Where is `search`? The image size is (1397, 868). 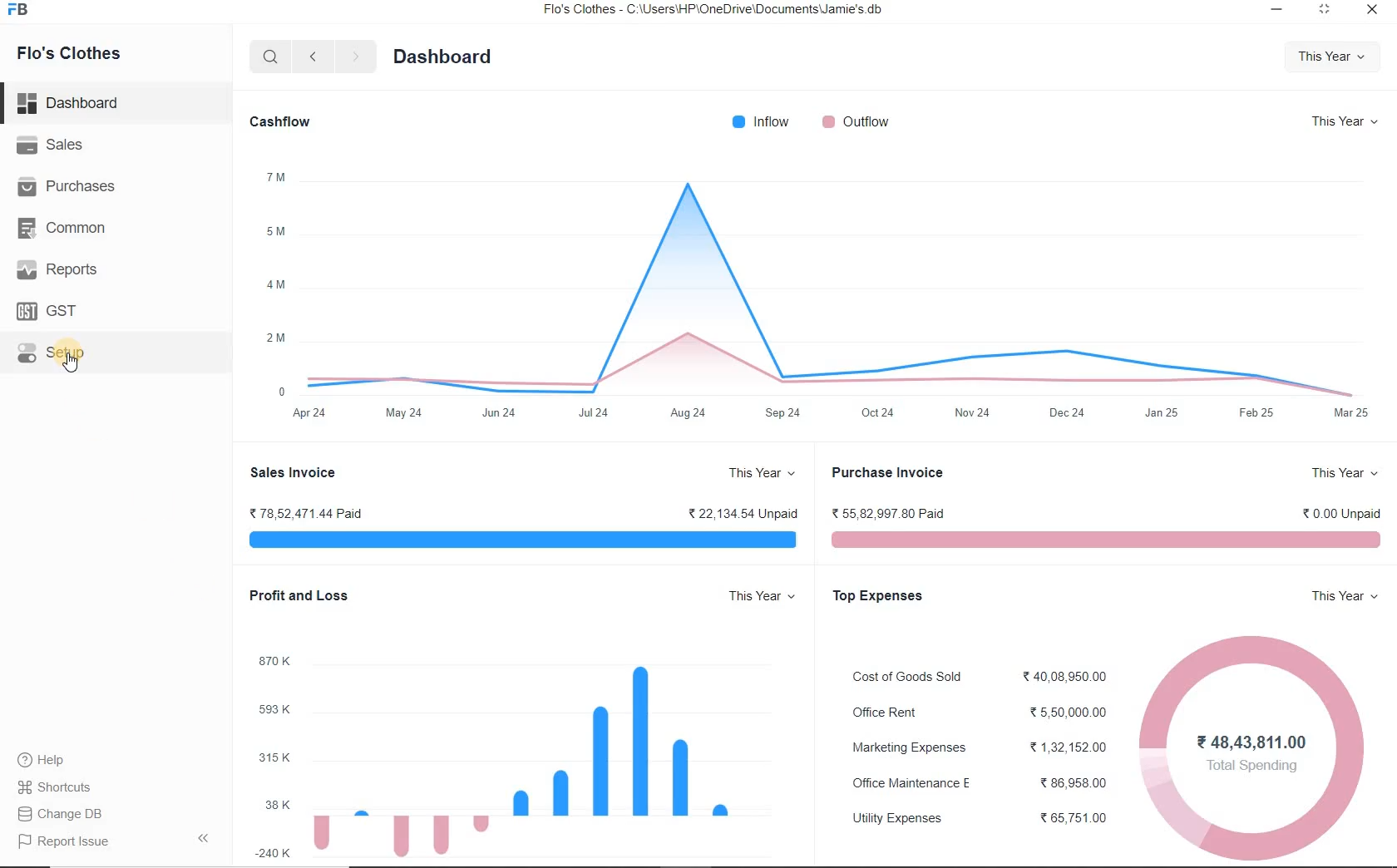 search is located at coordinates (272, 59).